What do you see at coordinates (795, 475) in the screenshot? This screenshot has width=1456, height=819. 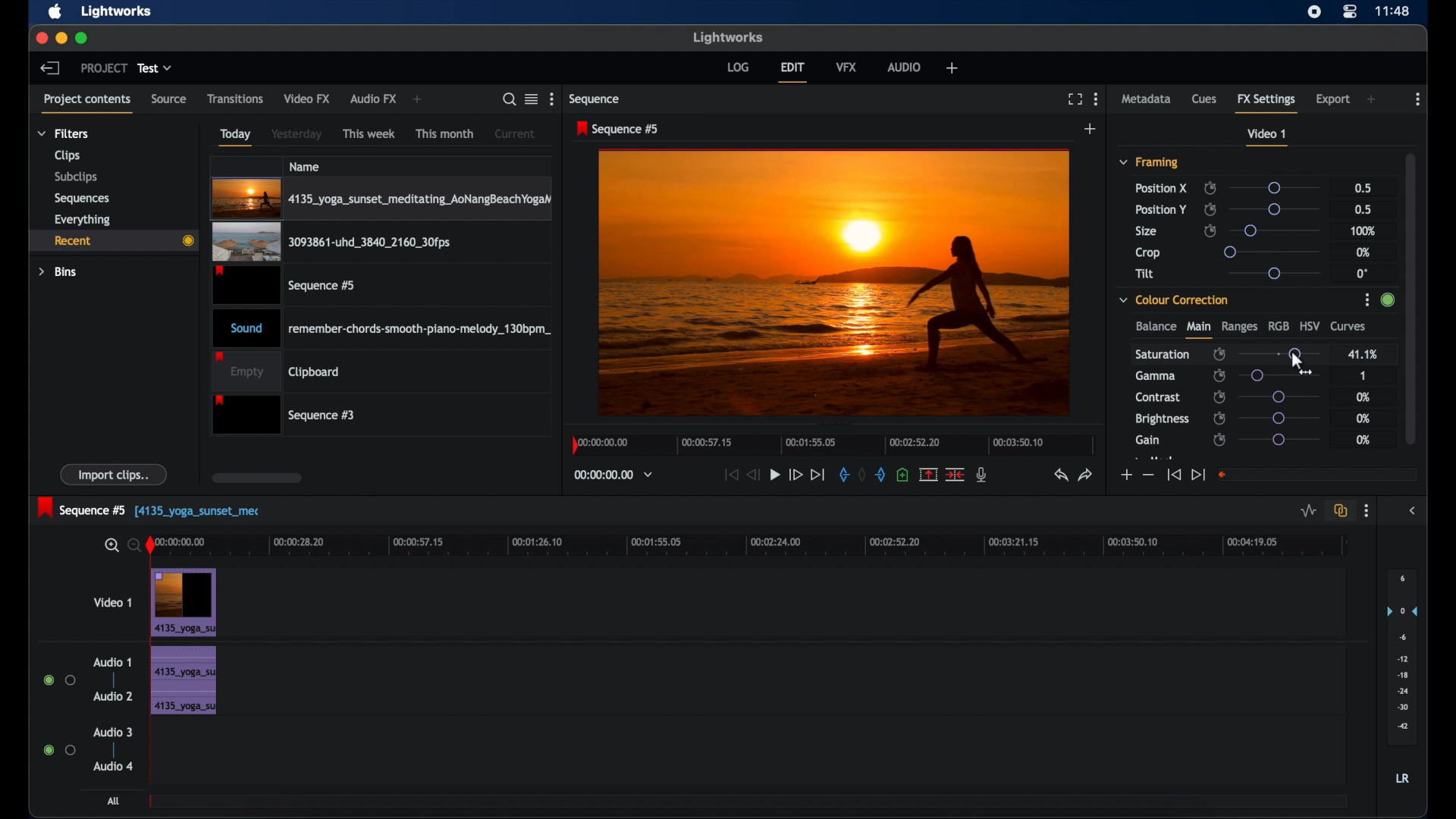 I see `fast forward` at bounding box center [795, 475].